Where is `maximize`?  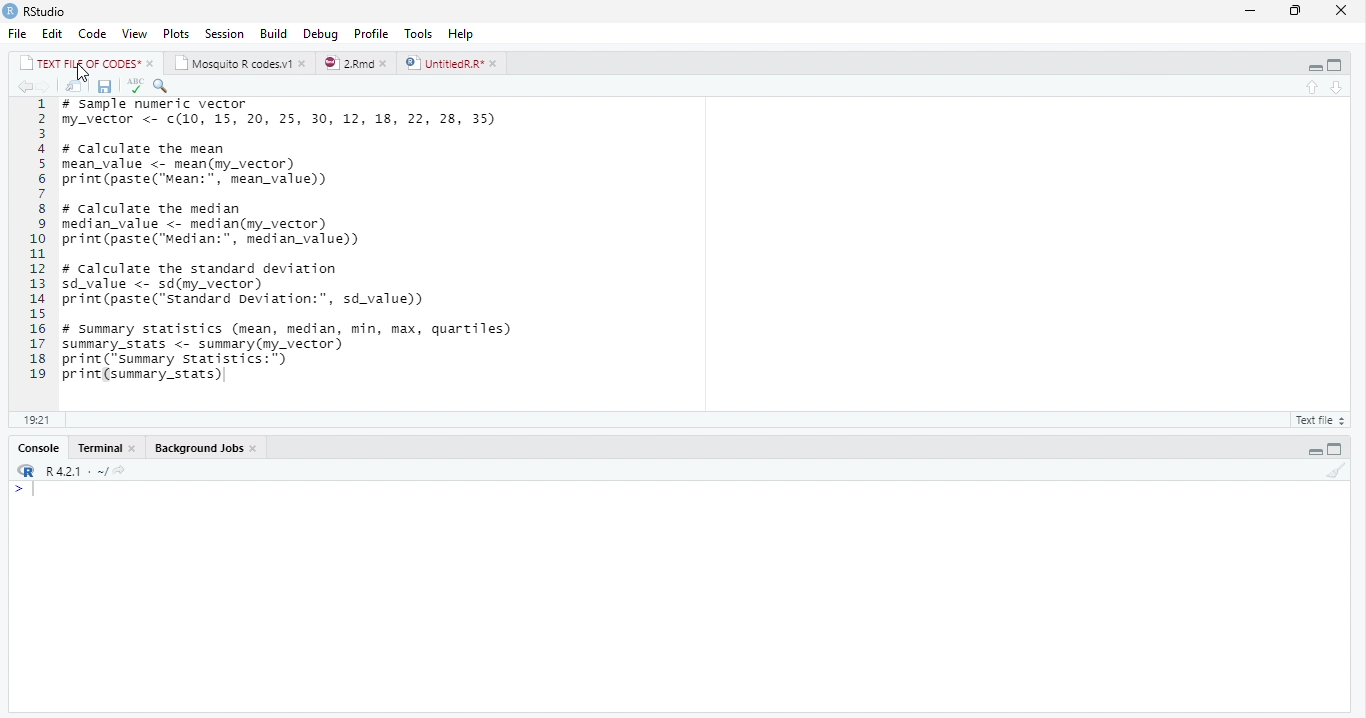
maximize is located at coordinates (1298, 12).